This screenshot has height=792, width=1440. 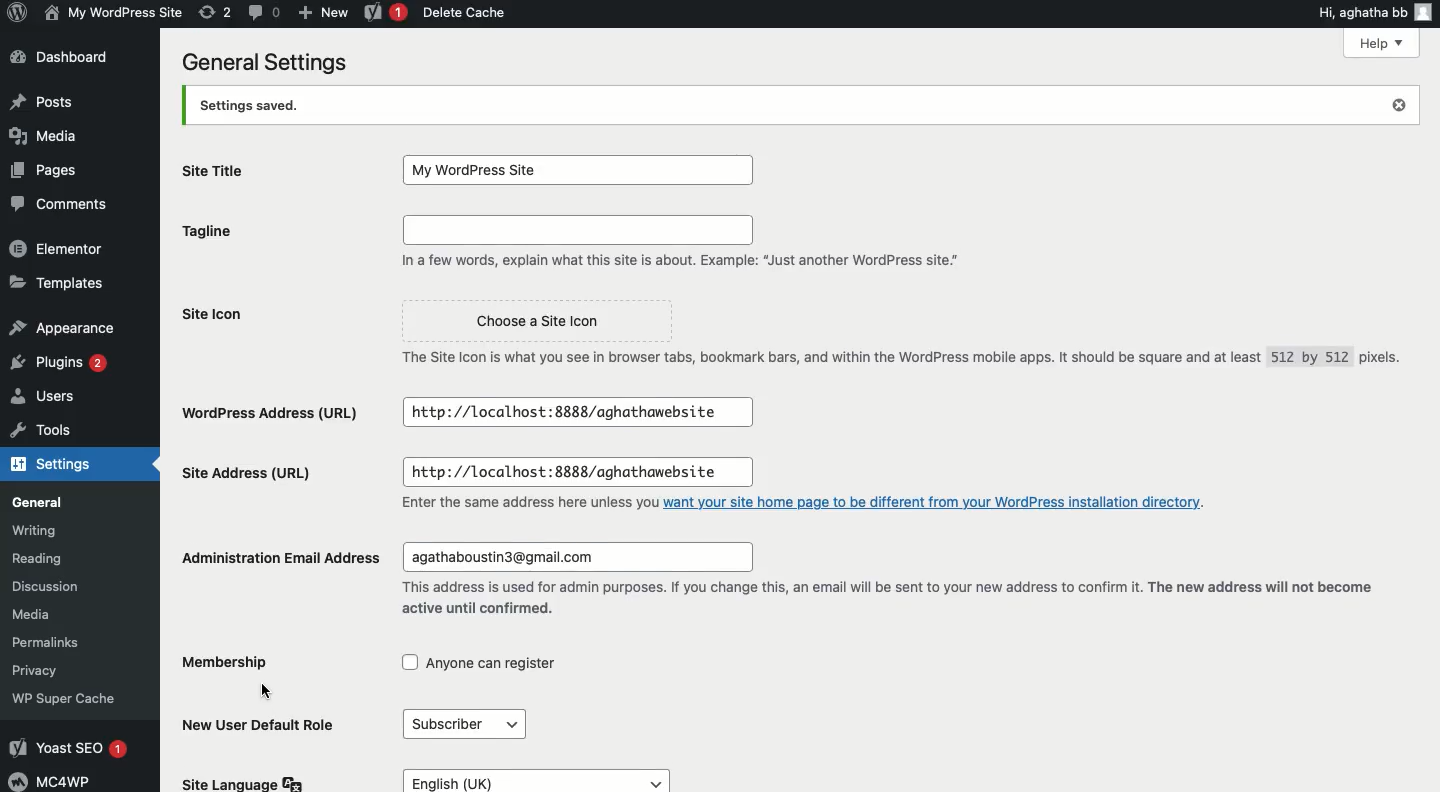 What do you see at coordinates (243, 783) in the screenshot?
I see `Site language` at bounding box center [243, 783].